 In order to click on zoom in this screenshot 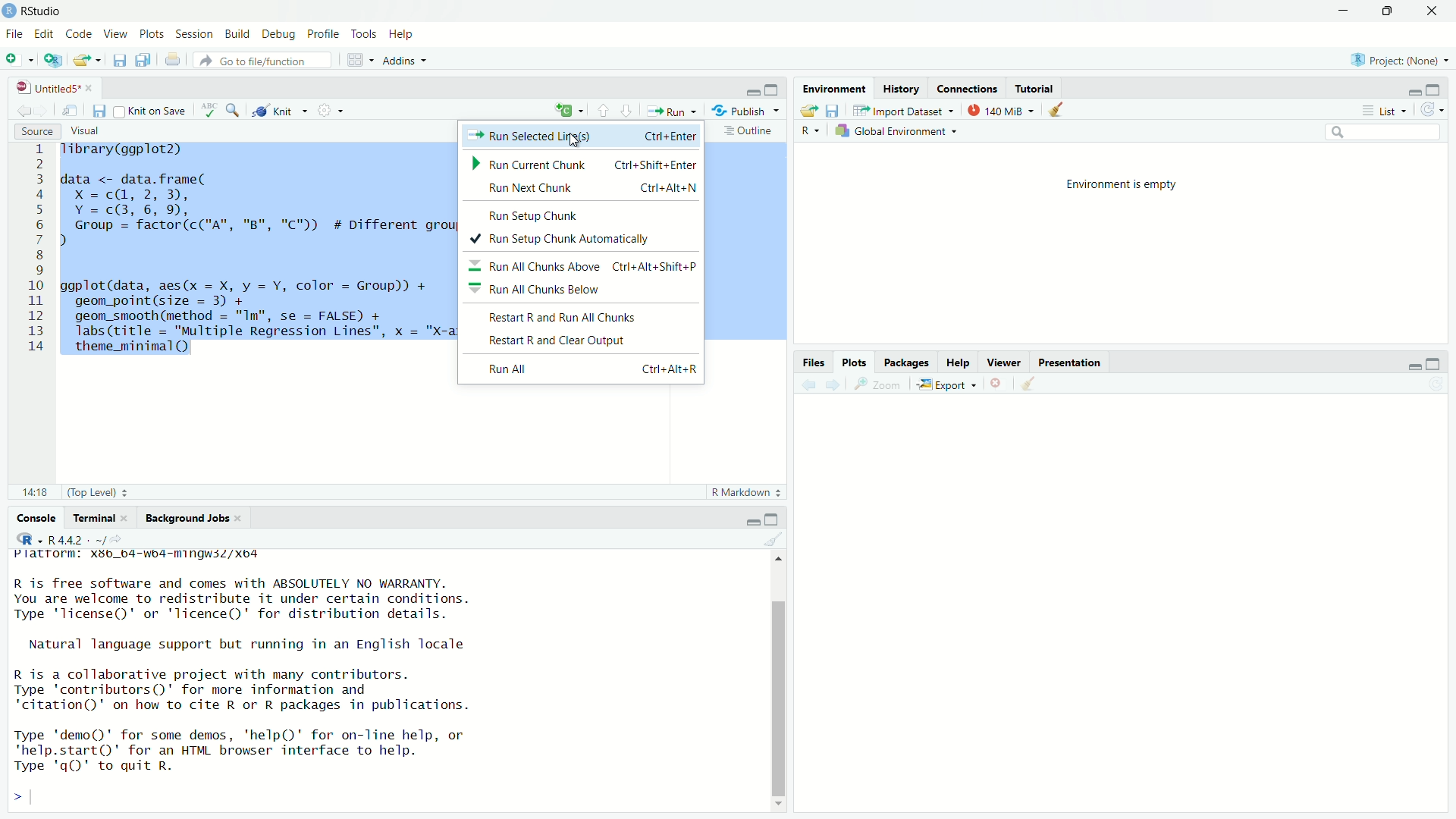, I will do `click(232, 110)`.